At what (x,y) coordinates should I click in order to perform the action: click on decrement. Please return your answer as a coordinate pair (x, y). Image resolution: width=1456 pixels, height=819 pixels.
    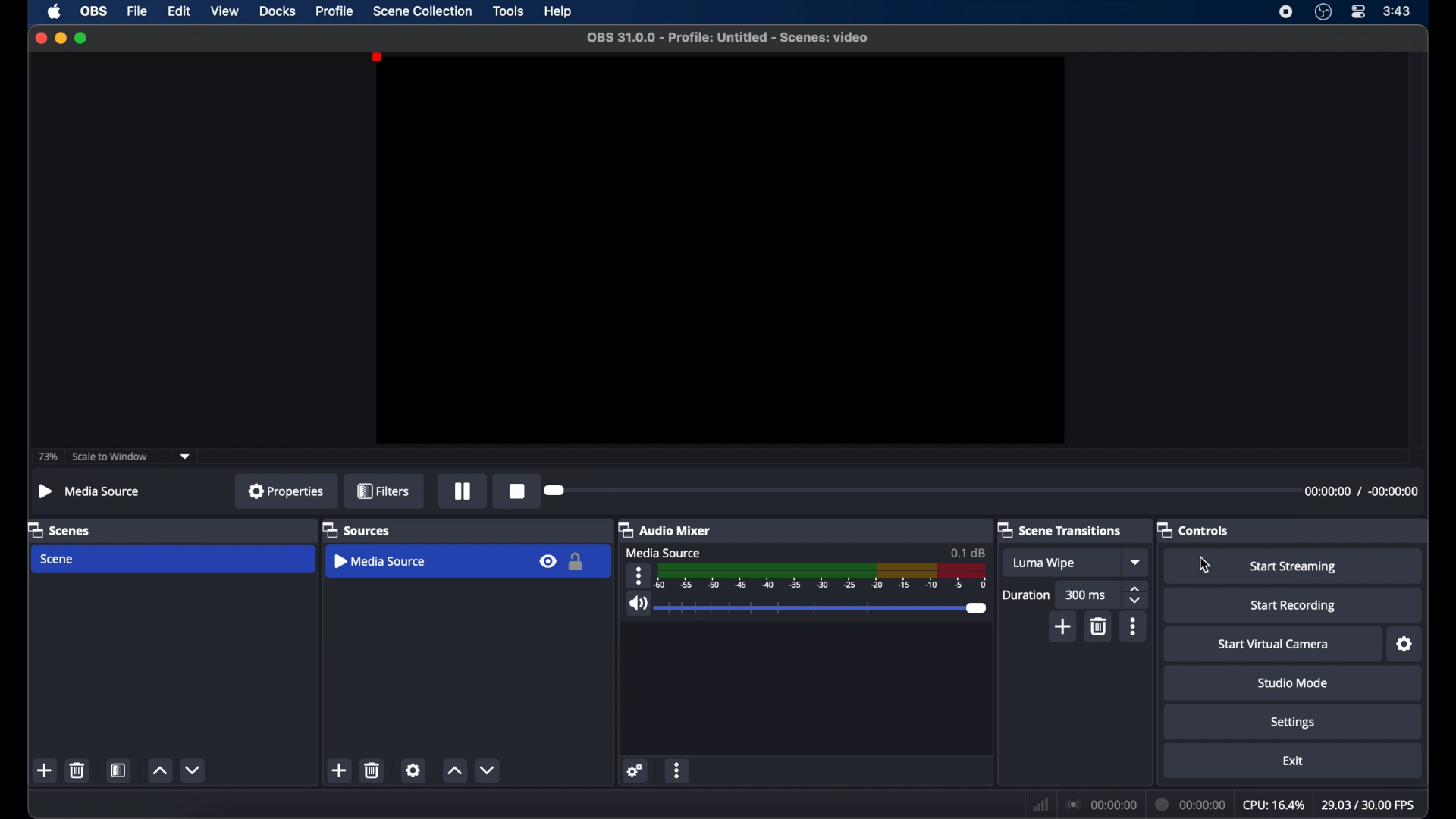
    Looking at the image, I should click on (487, 770).